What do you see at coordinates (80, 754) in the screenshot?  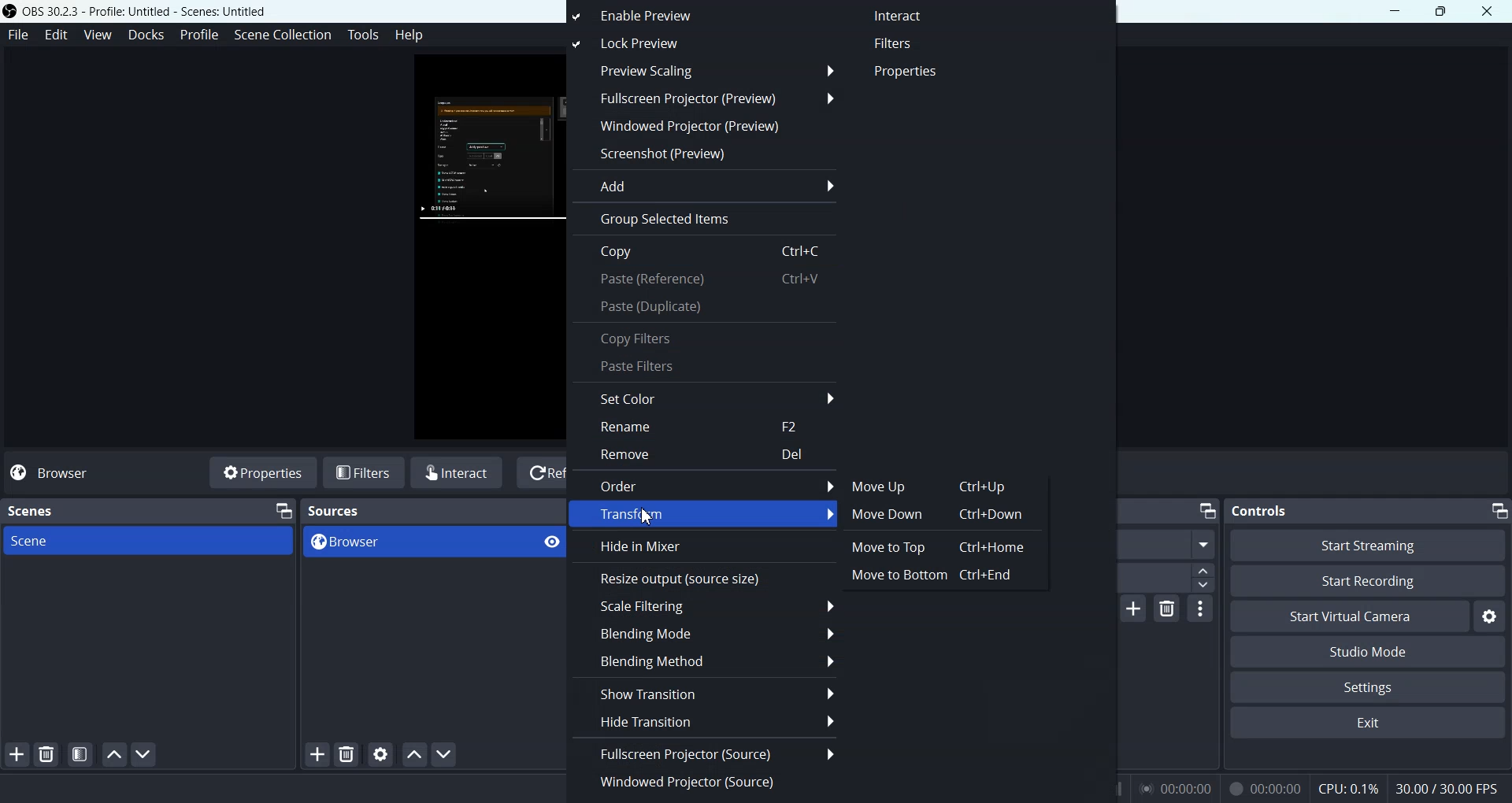 I see `Open scene Filter` at bounding box center [80, 754].